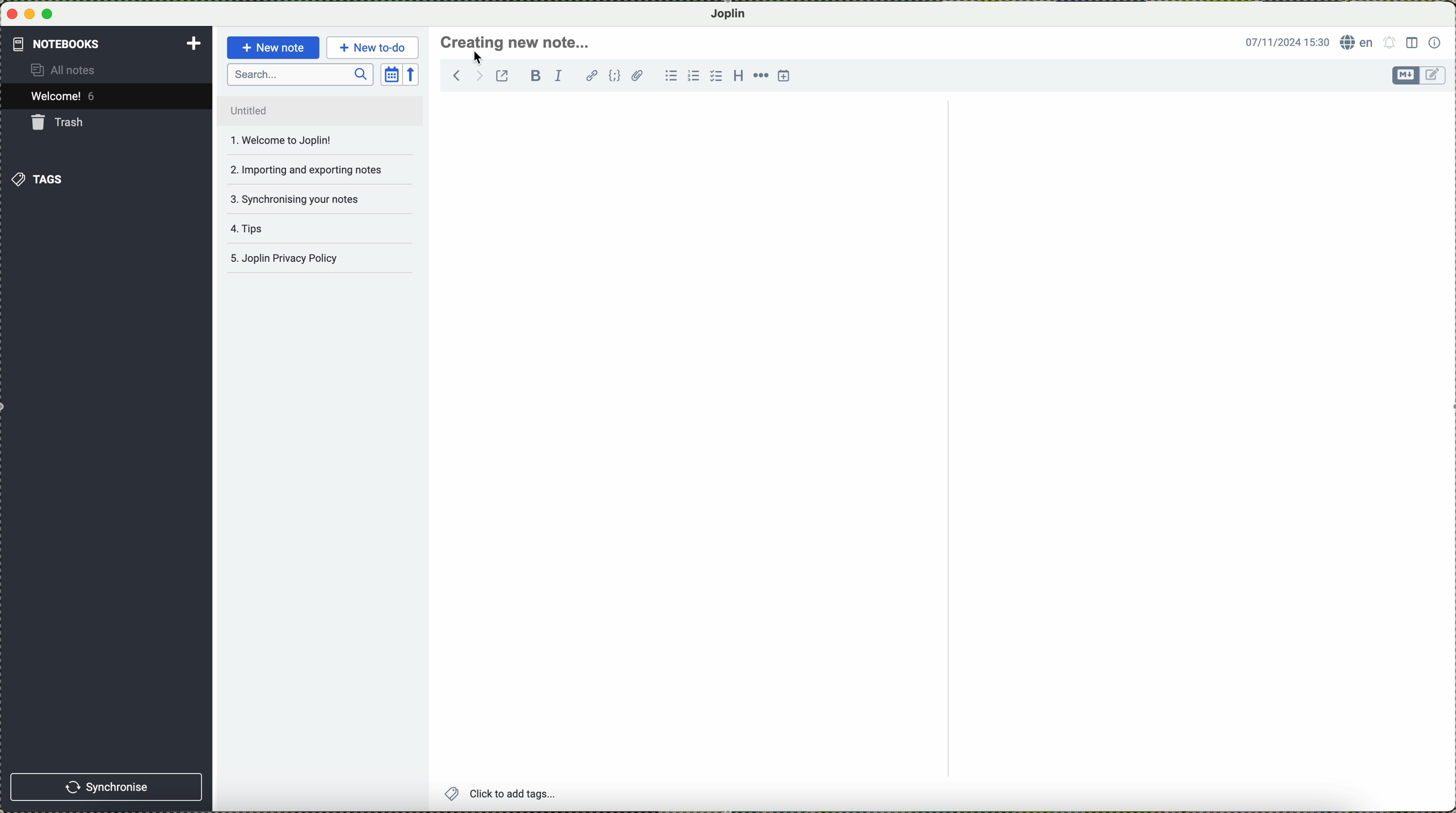 The width and height of the screenshot is (1456, 813). What do you see at coordinates (60, 122) in the screenshot?
I see `trash` at bounding box center [60, 122].